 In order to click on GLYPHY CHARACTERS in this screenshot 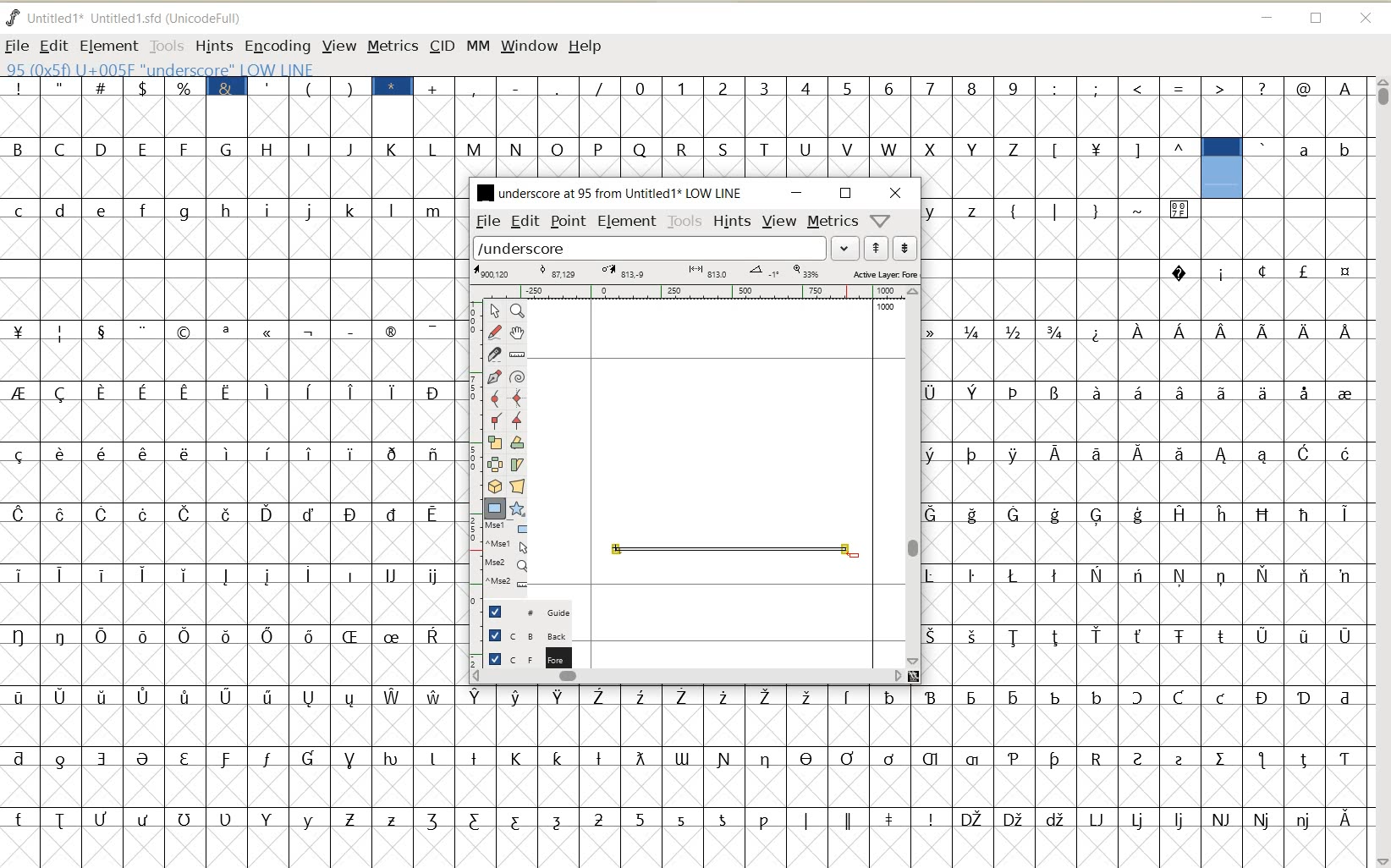, I will do `click(1284, 524)`.